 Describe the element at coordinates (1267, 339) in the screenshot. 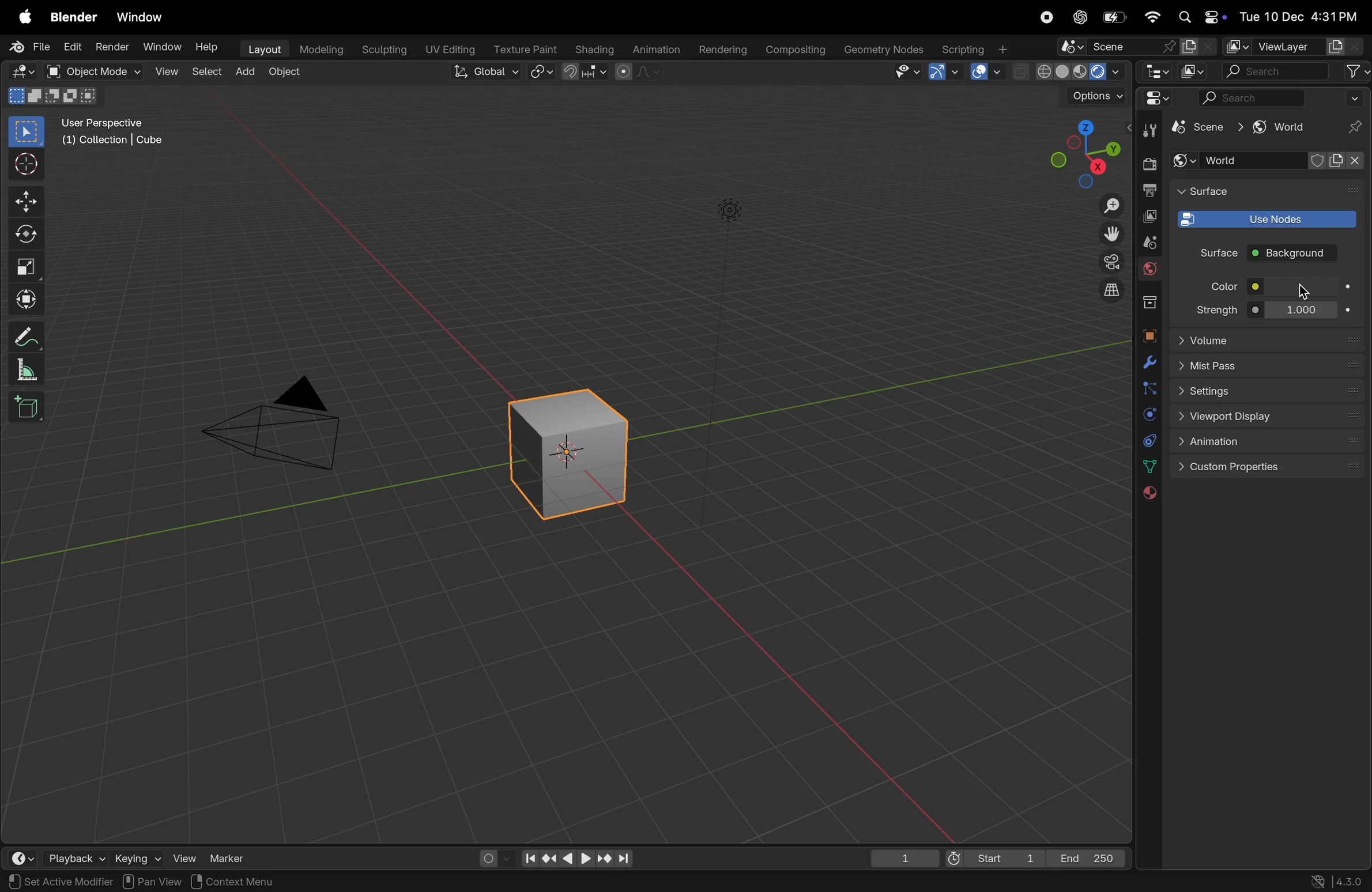

I see `volume` at that location.